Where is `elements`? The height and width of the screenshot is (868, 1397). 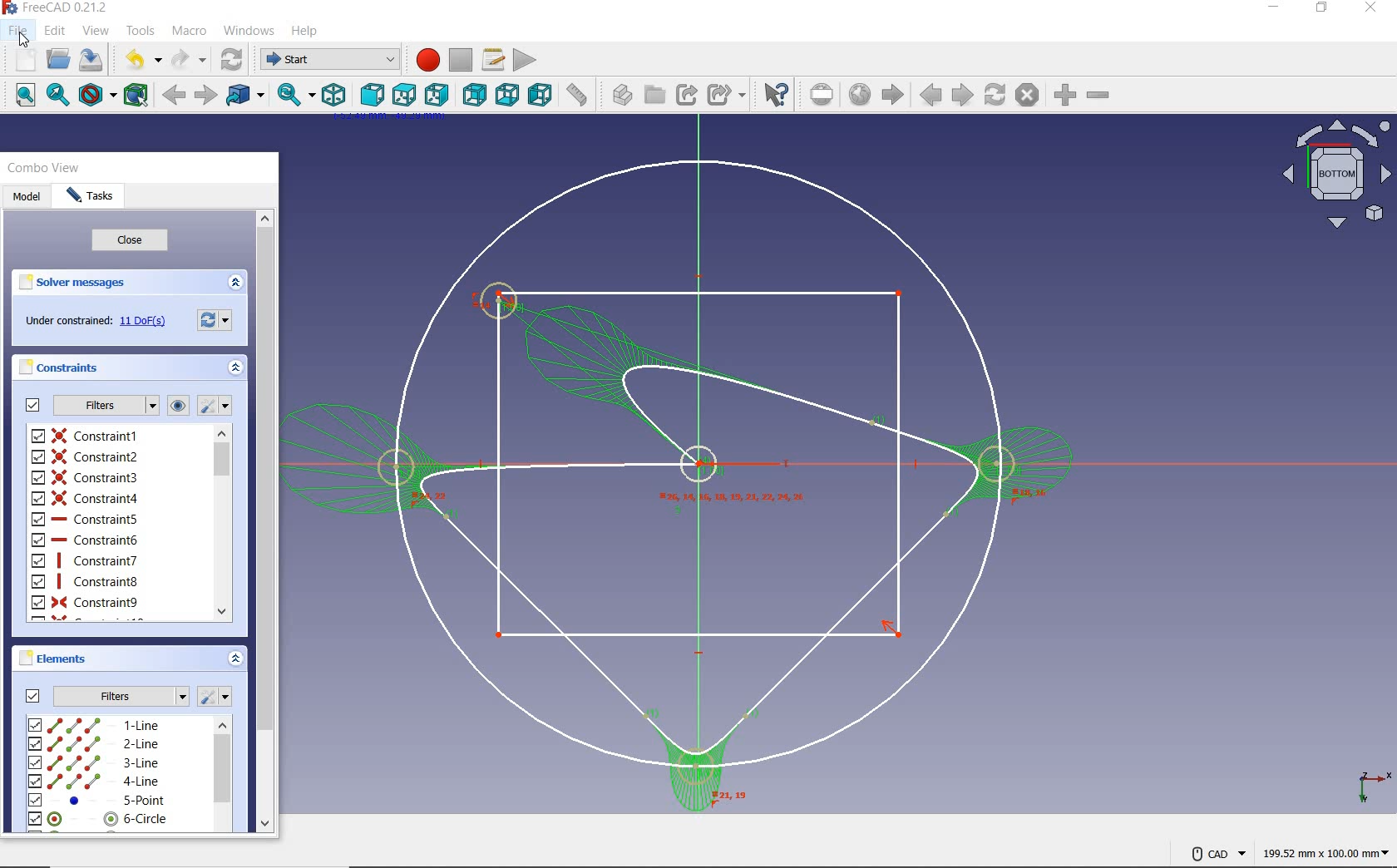 elements is located at coordinates (77, 658).